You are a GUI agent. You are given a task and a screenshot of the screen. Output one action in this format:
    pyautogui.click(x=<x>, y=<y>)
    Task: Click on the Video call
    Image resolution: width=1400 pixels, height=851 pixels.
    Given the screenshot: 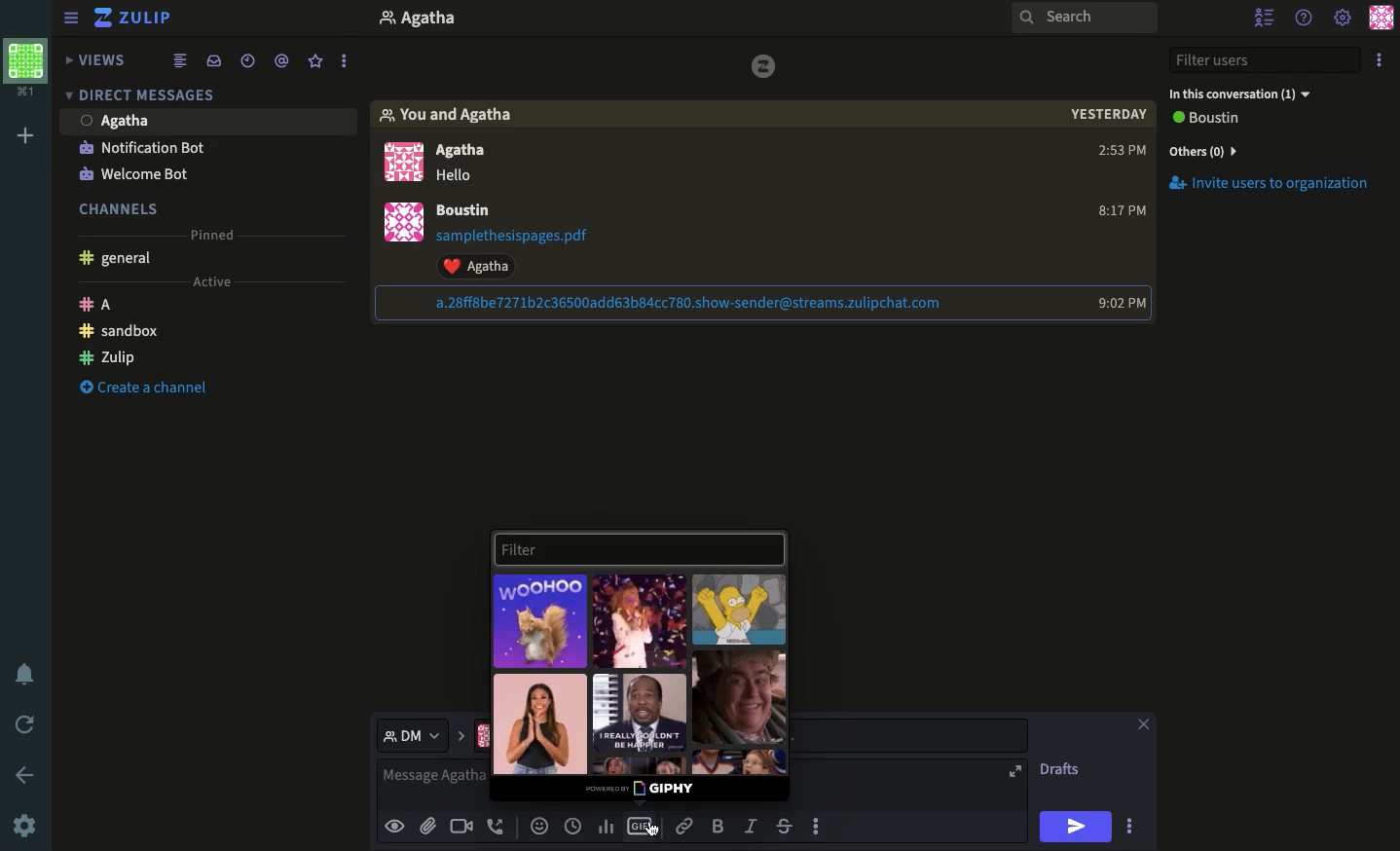 What is the action you would take?
    pyautogui.click(x=461, y=825)
    